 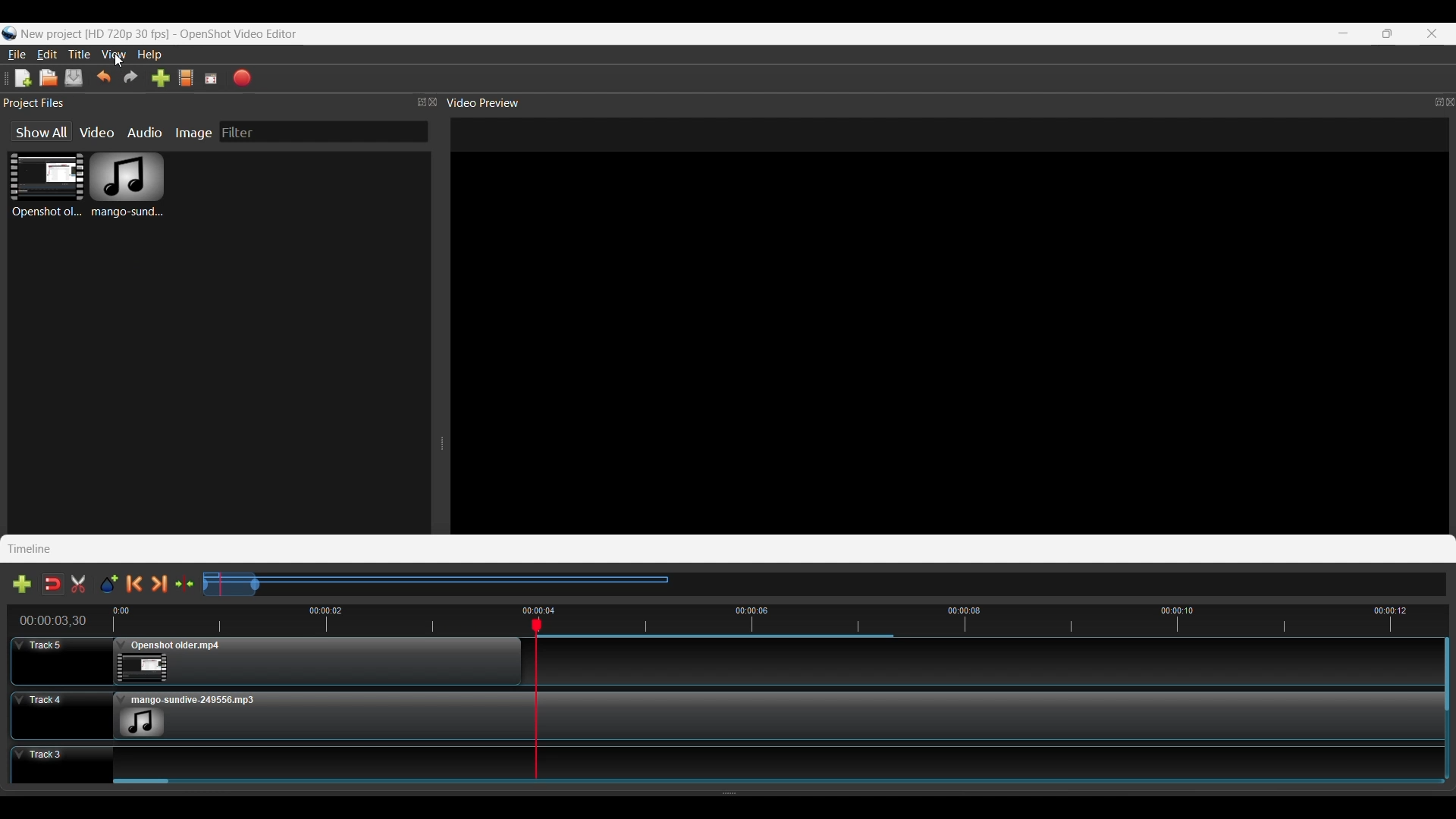 I want to click on Redo, so click(x=132, y=77).